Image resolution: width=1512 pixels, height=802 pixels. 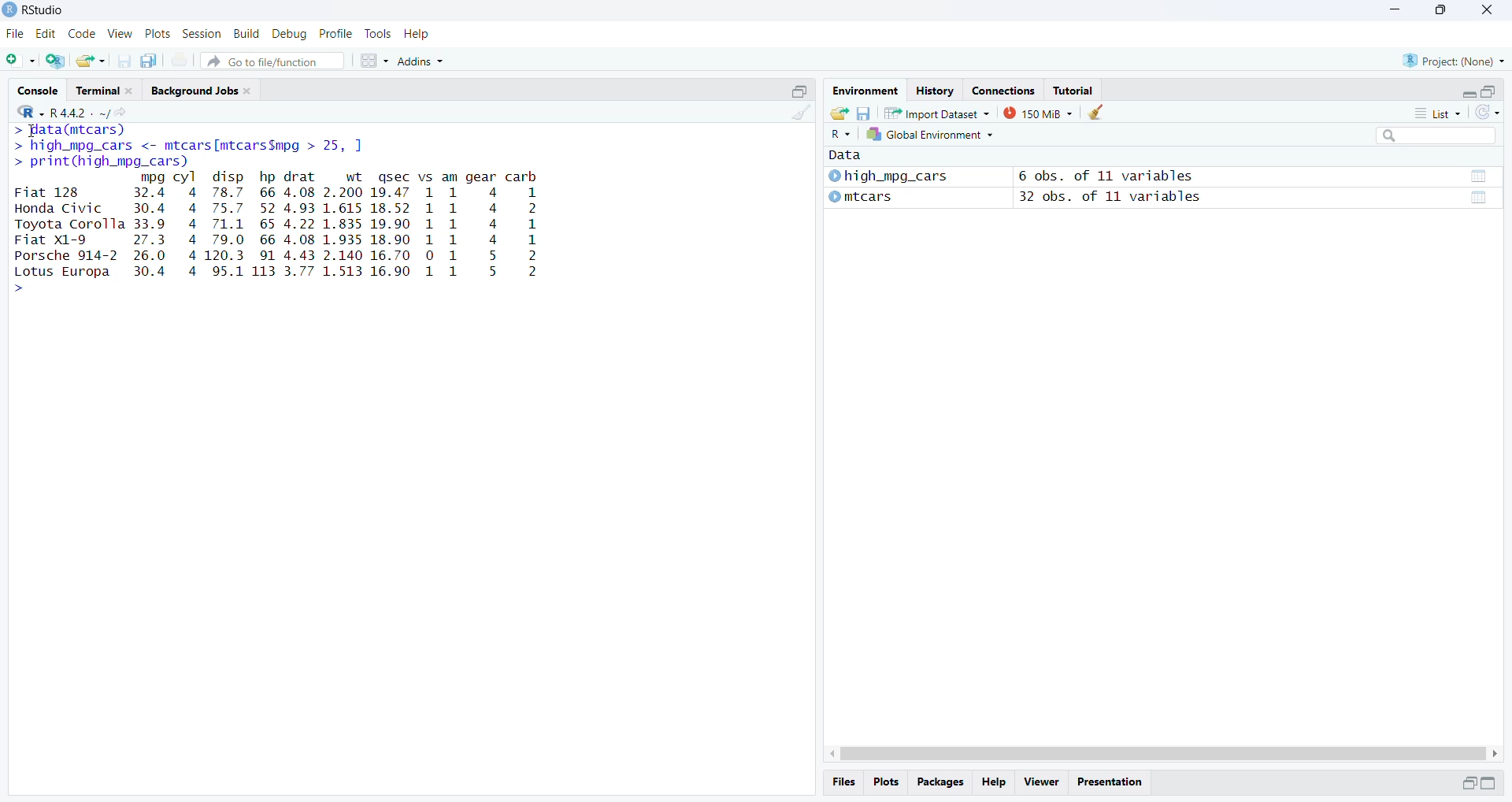 What do you see at coordinates (1074, 90) in the screenshot?
I see `Tutorial` at bounding box center [1074, 90].